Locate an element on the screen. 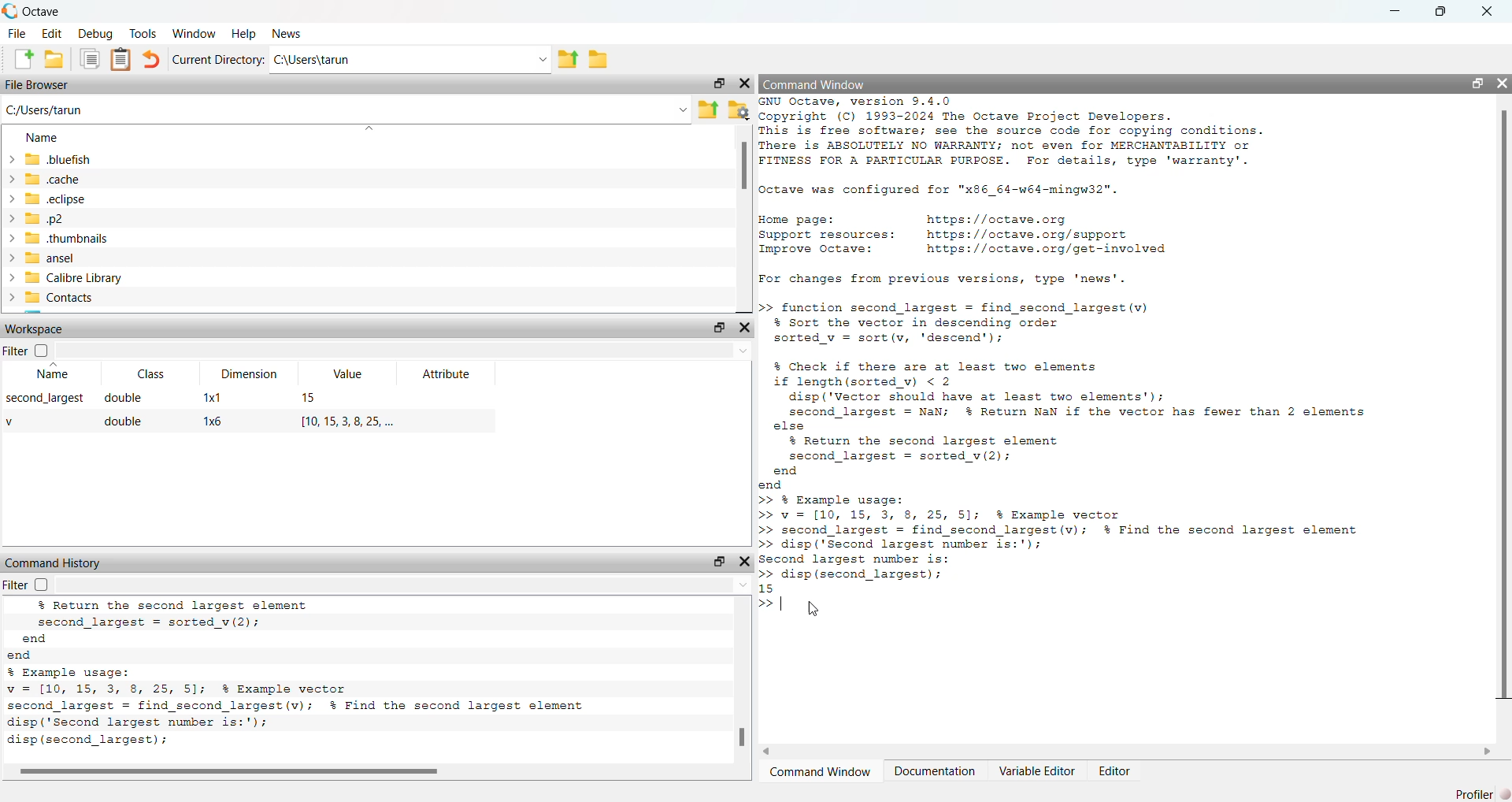  cursor is located at coordinates (817, 609).